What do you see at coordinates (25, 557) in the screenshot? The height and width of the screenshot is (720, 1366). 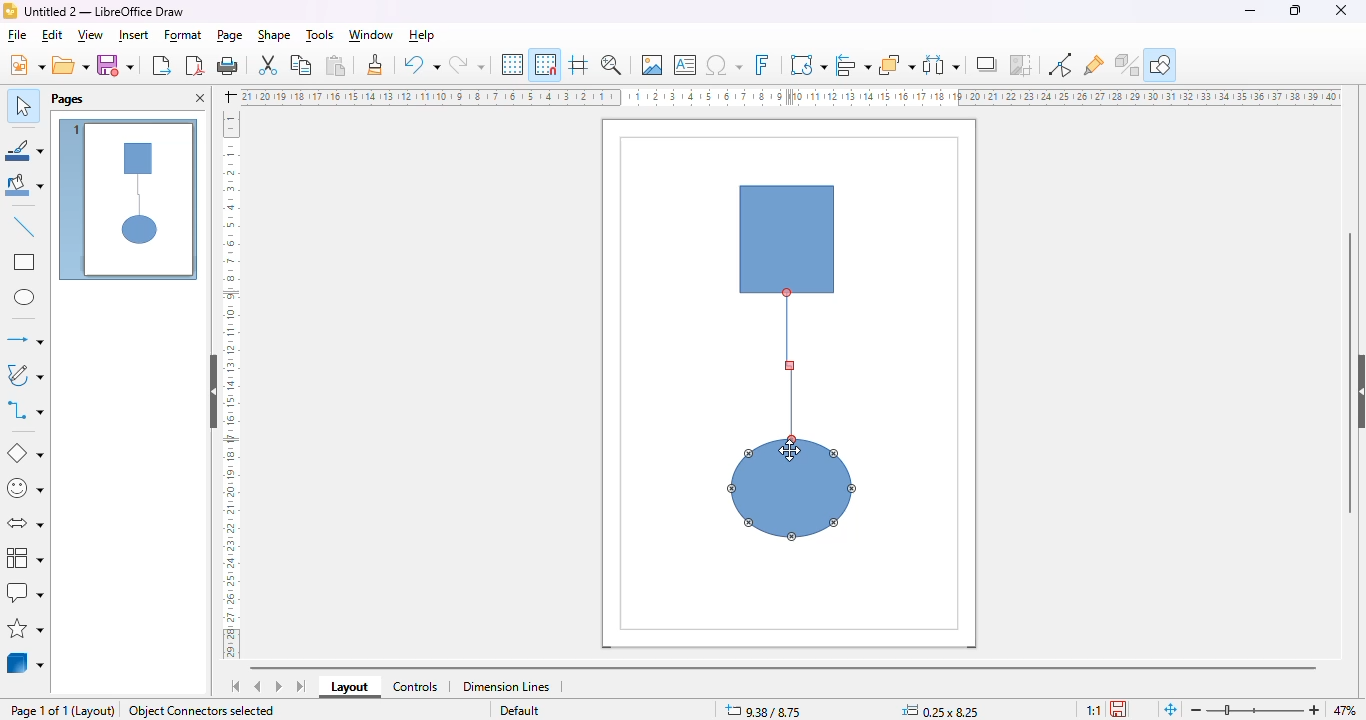 I see `flowchart` at bounding box center [25, 557].